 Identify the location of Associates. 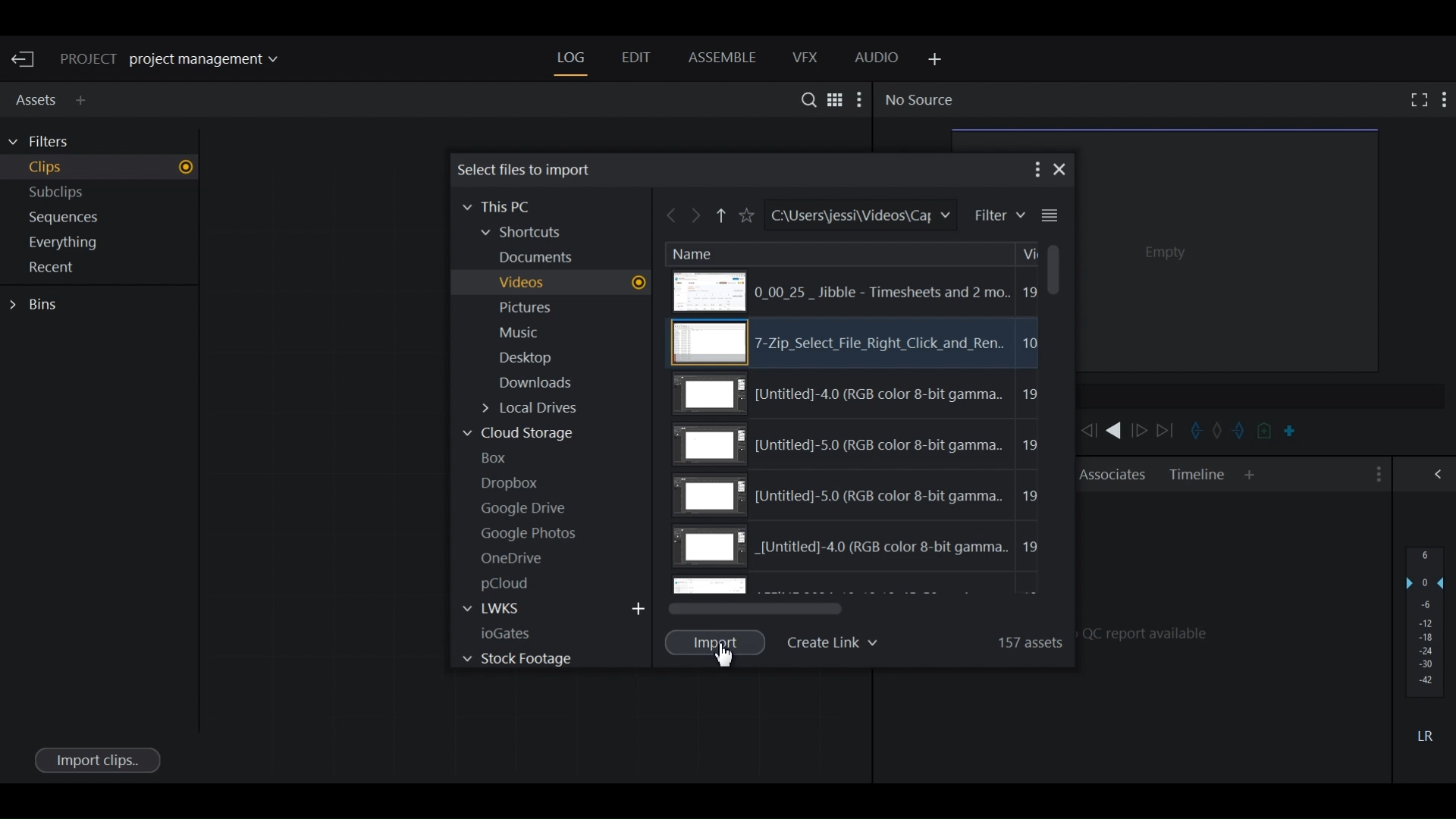
(1112, 474).